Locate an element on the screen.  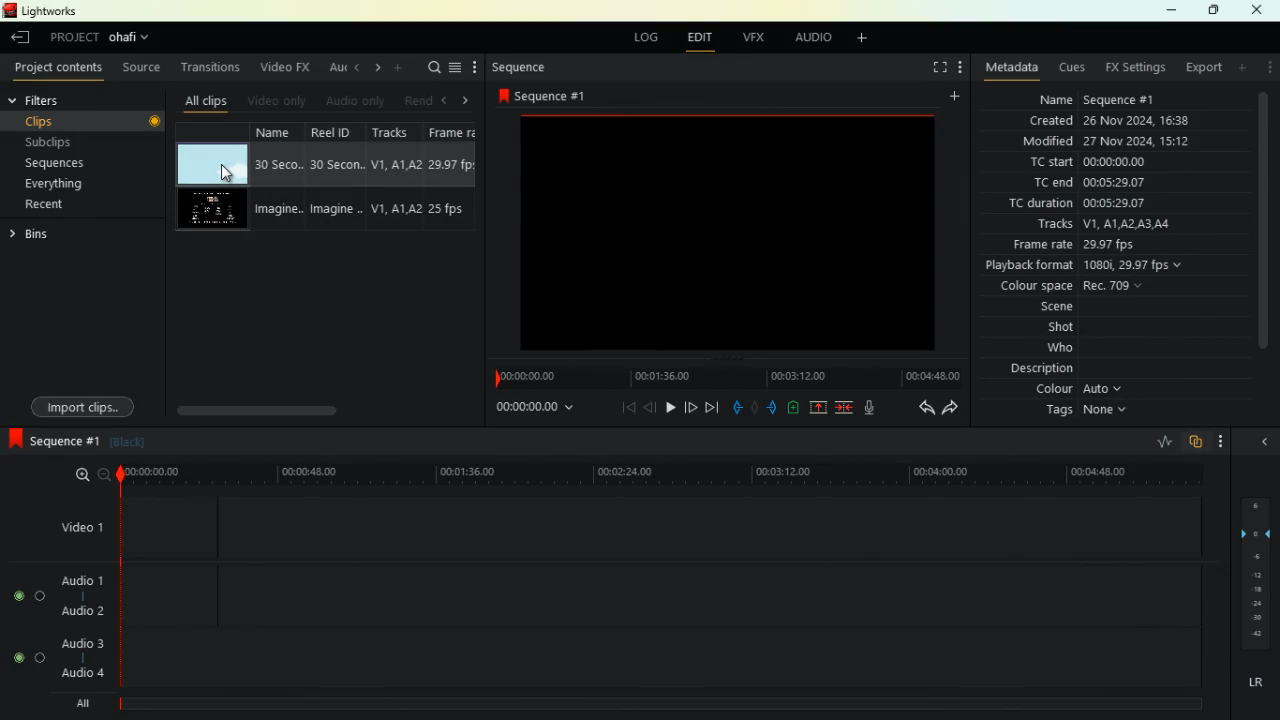
audio 4 is located at coordinates (80, 674).